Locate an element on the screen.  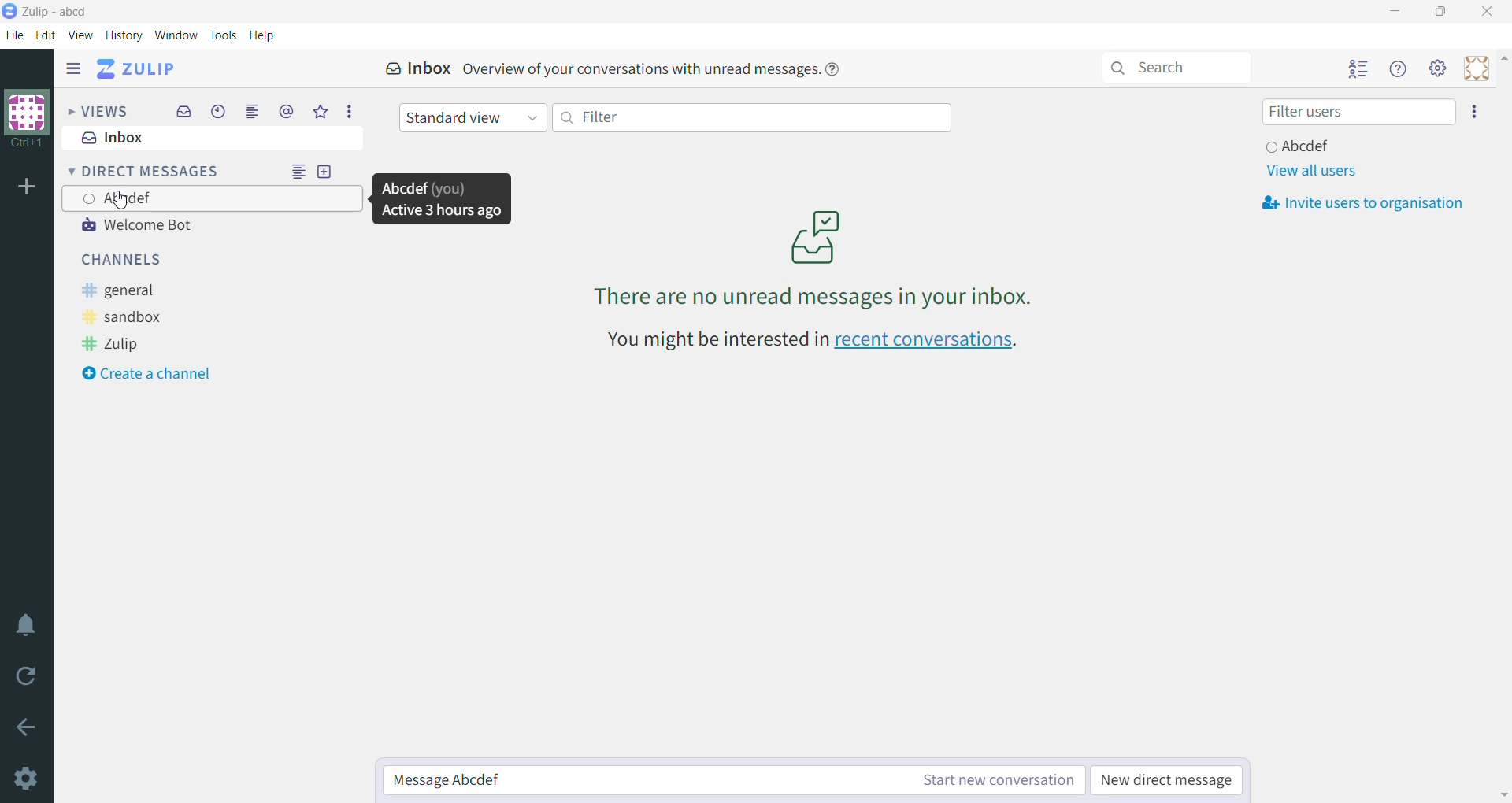
Mentions is located at coordinates (286, 111).